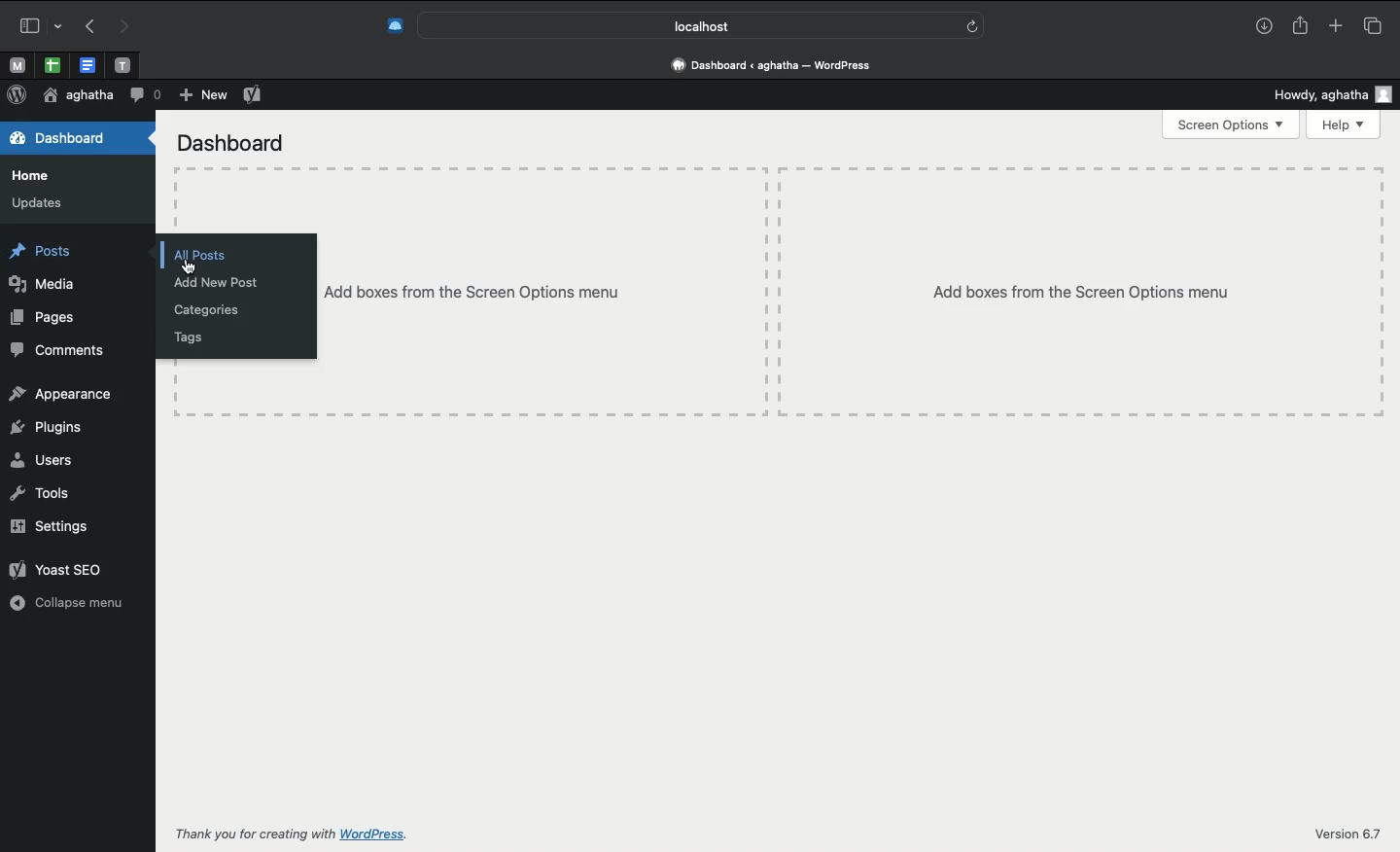 The width and height of the screenshot is (1400, 852). I want to click on Settings, so click(53, 526).